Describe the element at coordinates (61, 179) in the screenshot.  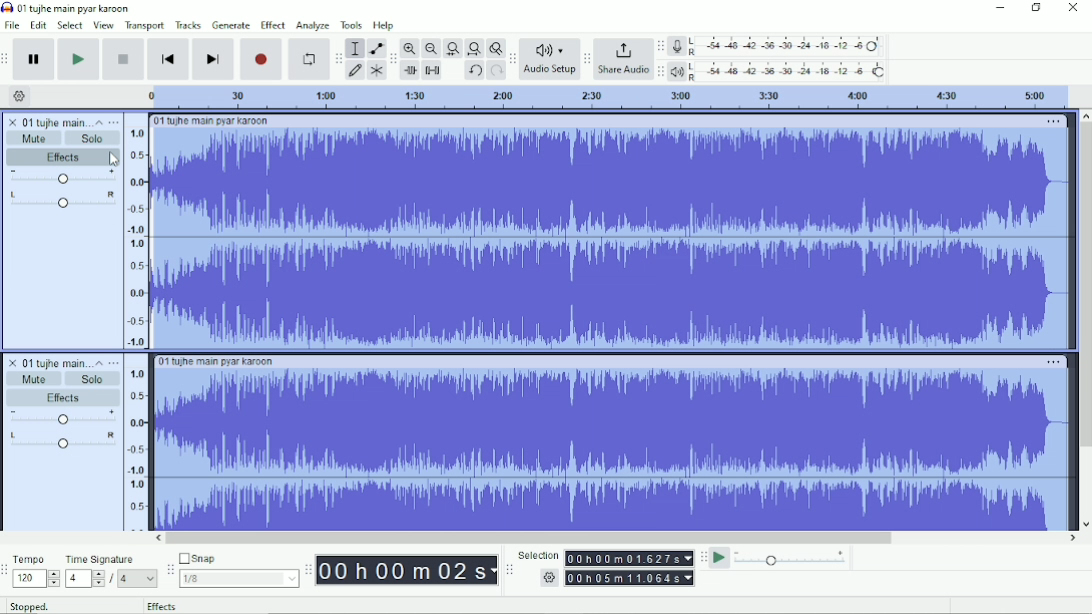
I see `Volume` at that location.